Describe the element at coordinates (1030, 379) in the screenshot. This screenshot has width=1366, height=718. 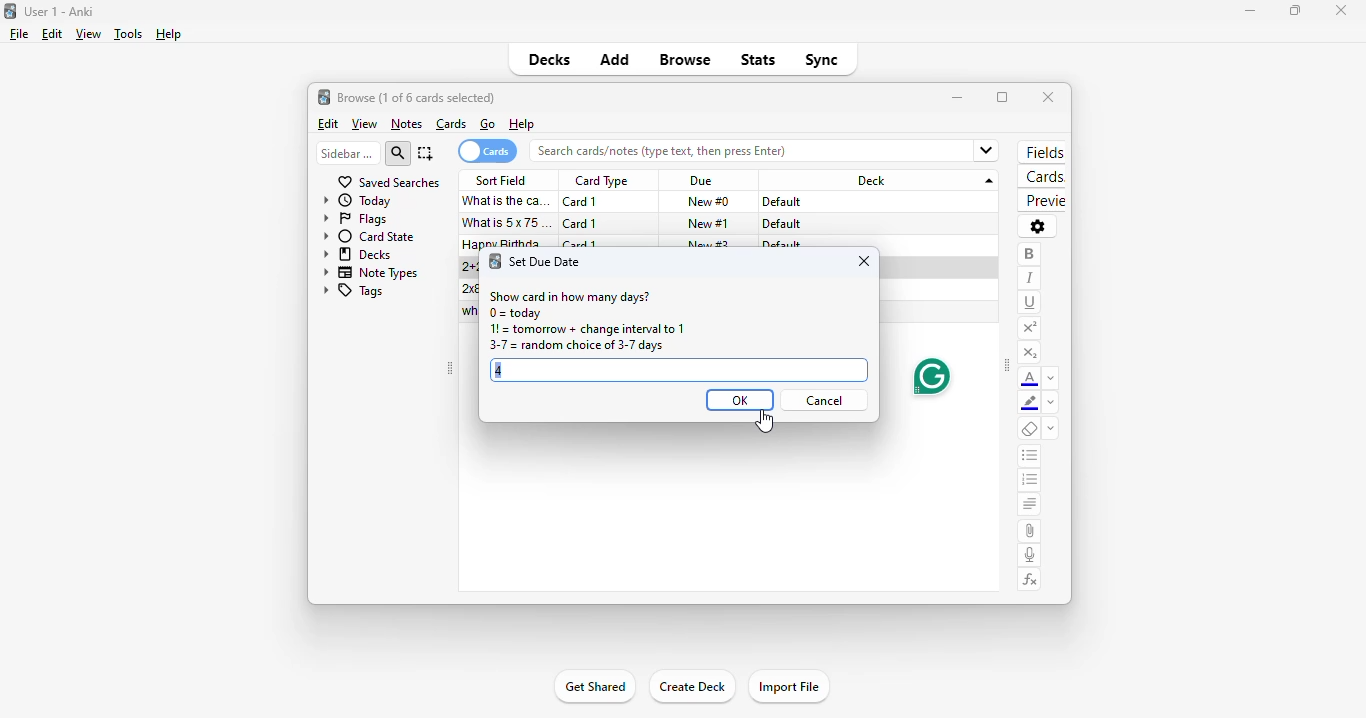
I see `text color` at that location.